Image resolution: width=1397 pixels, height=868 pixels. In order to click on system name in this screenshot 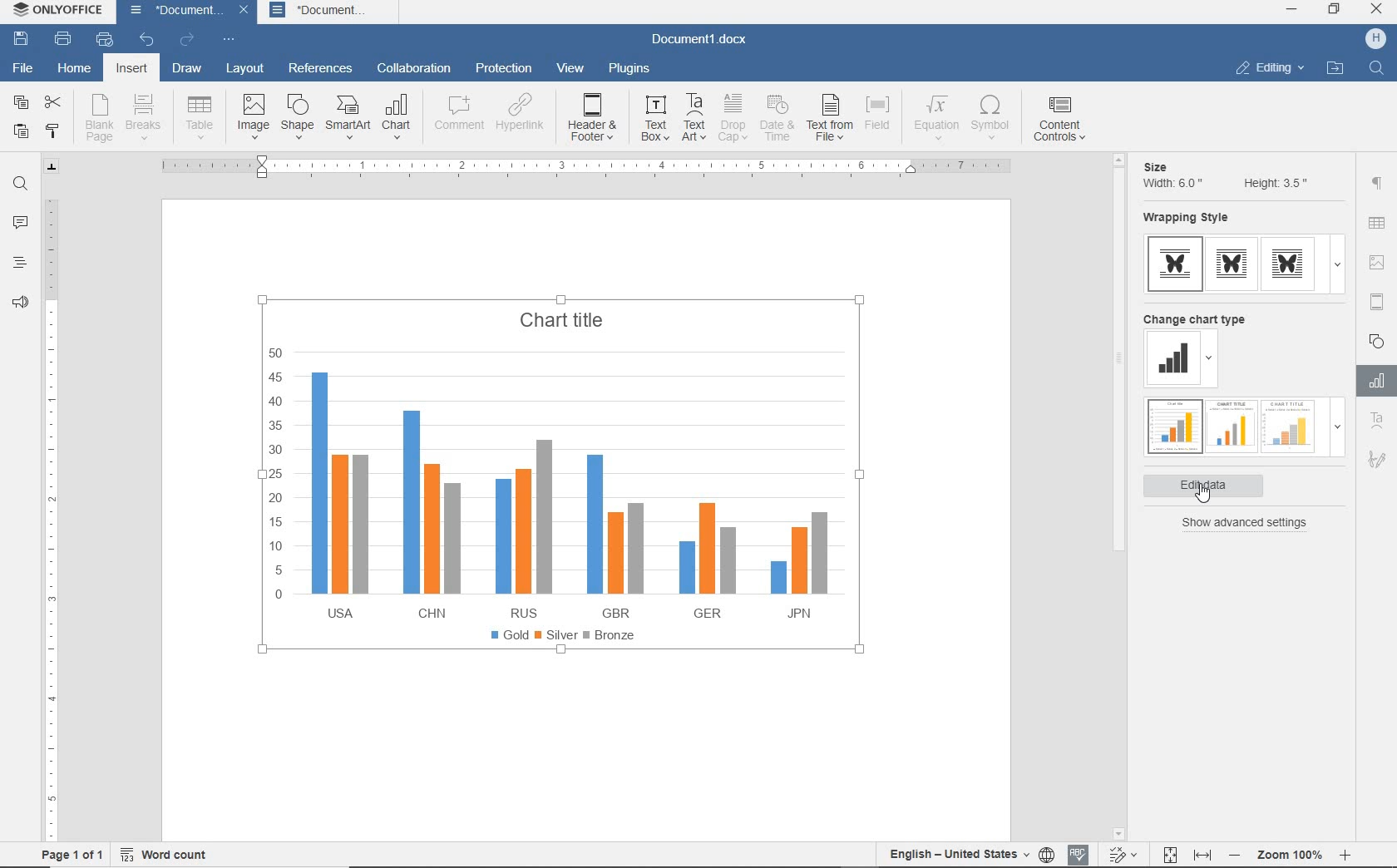, I will do `click(61, 13)`.